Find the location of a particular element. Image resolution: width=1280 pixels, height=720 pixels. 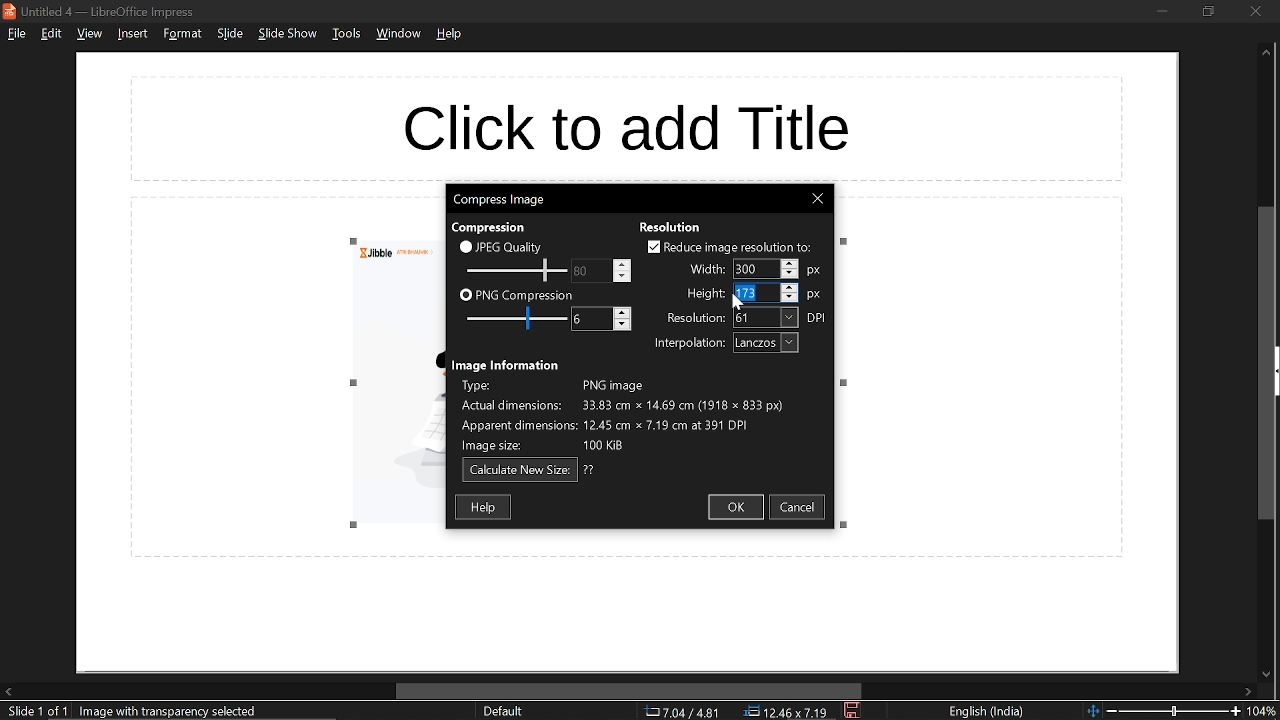

save is located at coordinates (852, 711).